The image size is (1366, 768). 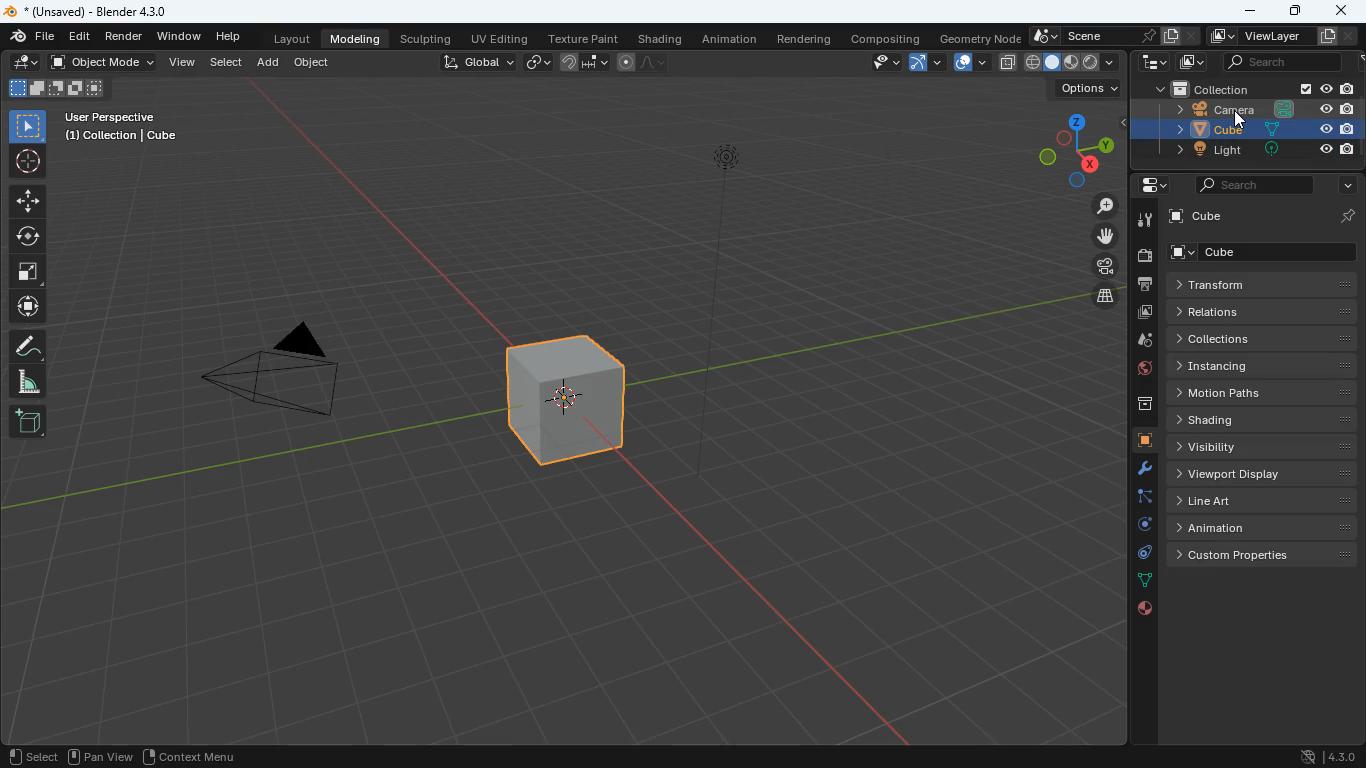 I want to click on dots, so click(x=1136, y=579).